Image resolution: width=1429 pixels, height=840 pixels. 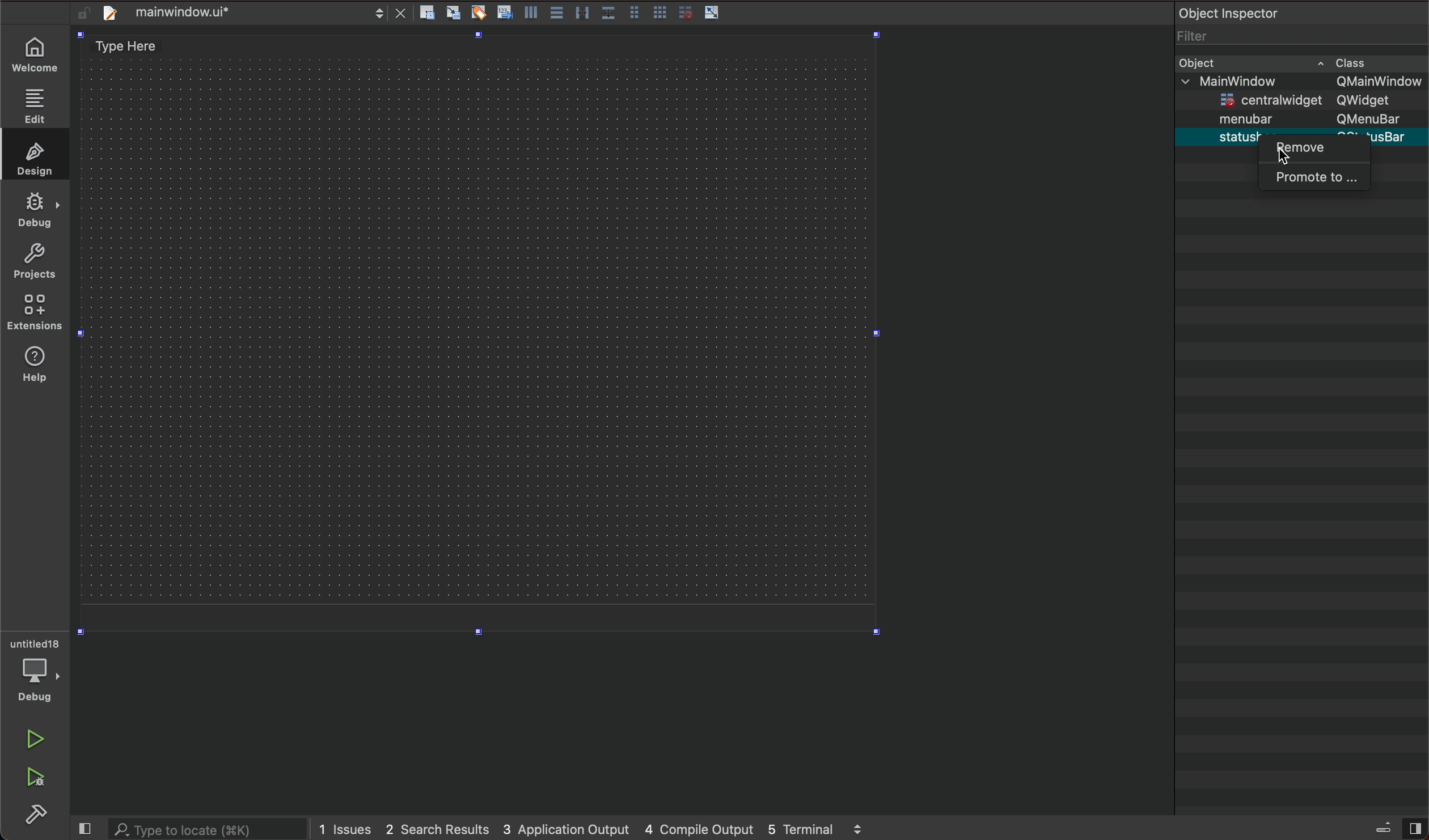 I want to click on debug, so click(x=34, y=214).